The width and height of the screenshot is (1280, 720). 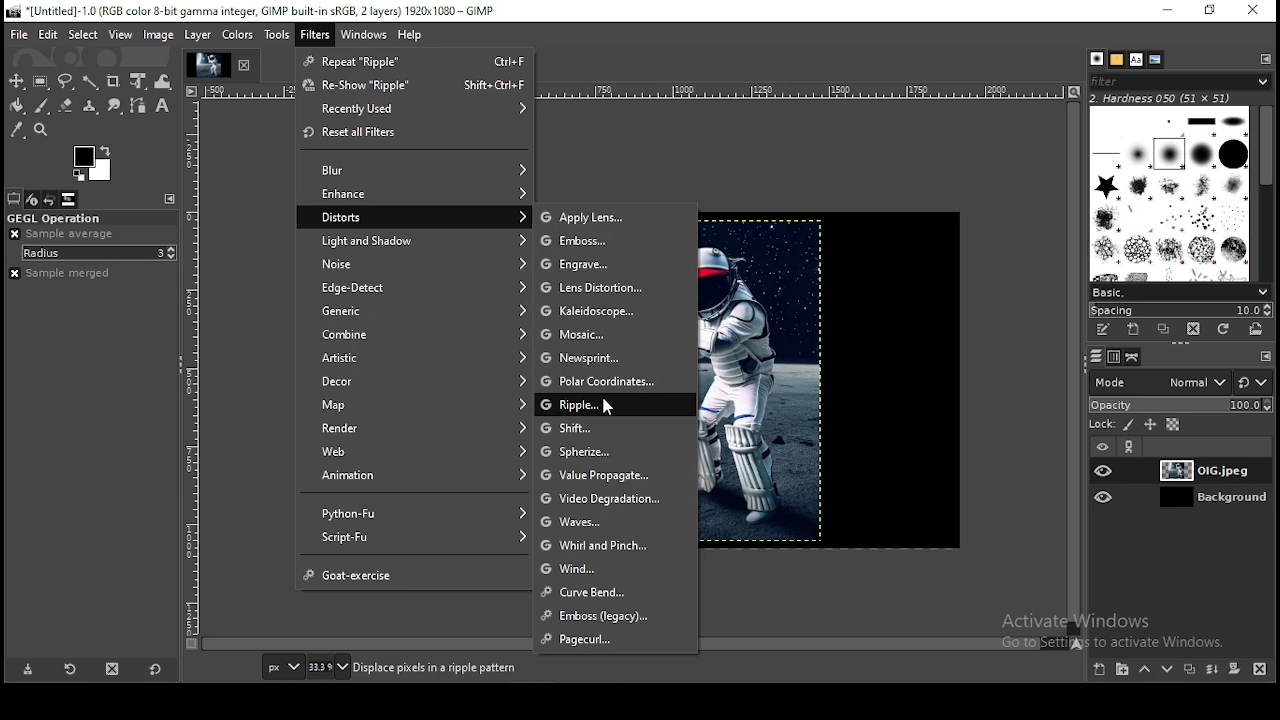 What do you see at coordinates (1096, 357) in the screenshot?
I see `layers` at bounding box center [1096, 357].